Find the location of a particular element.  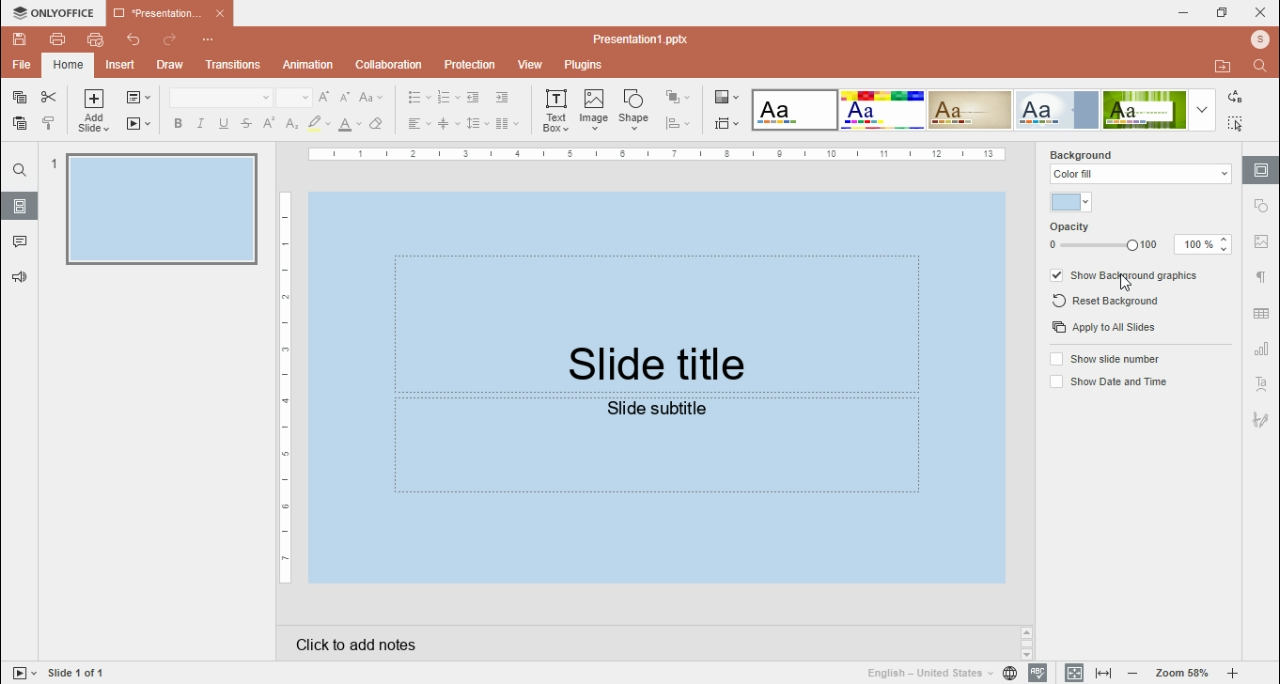

slide 1 is located at coordinates (152, 208).